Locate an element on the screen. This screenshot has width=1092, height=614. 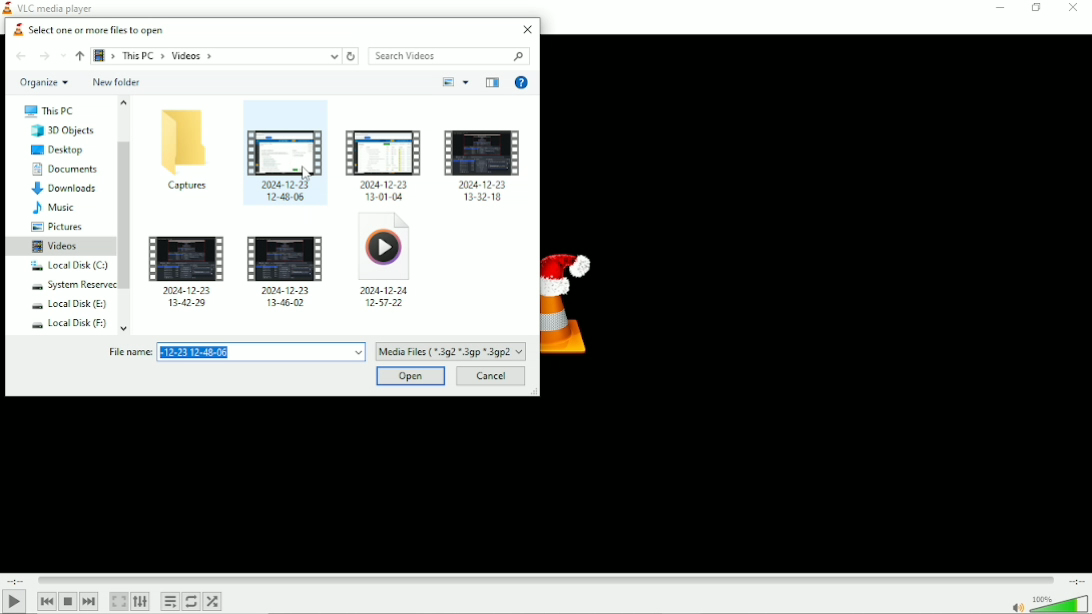
Title is located at coordinates (50, 7).